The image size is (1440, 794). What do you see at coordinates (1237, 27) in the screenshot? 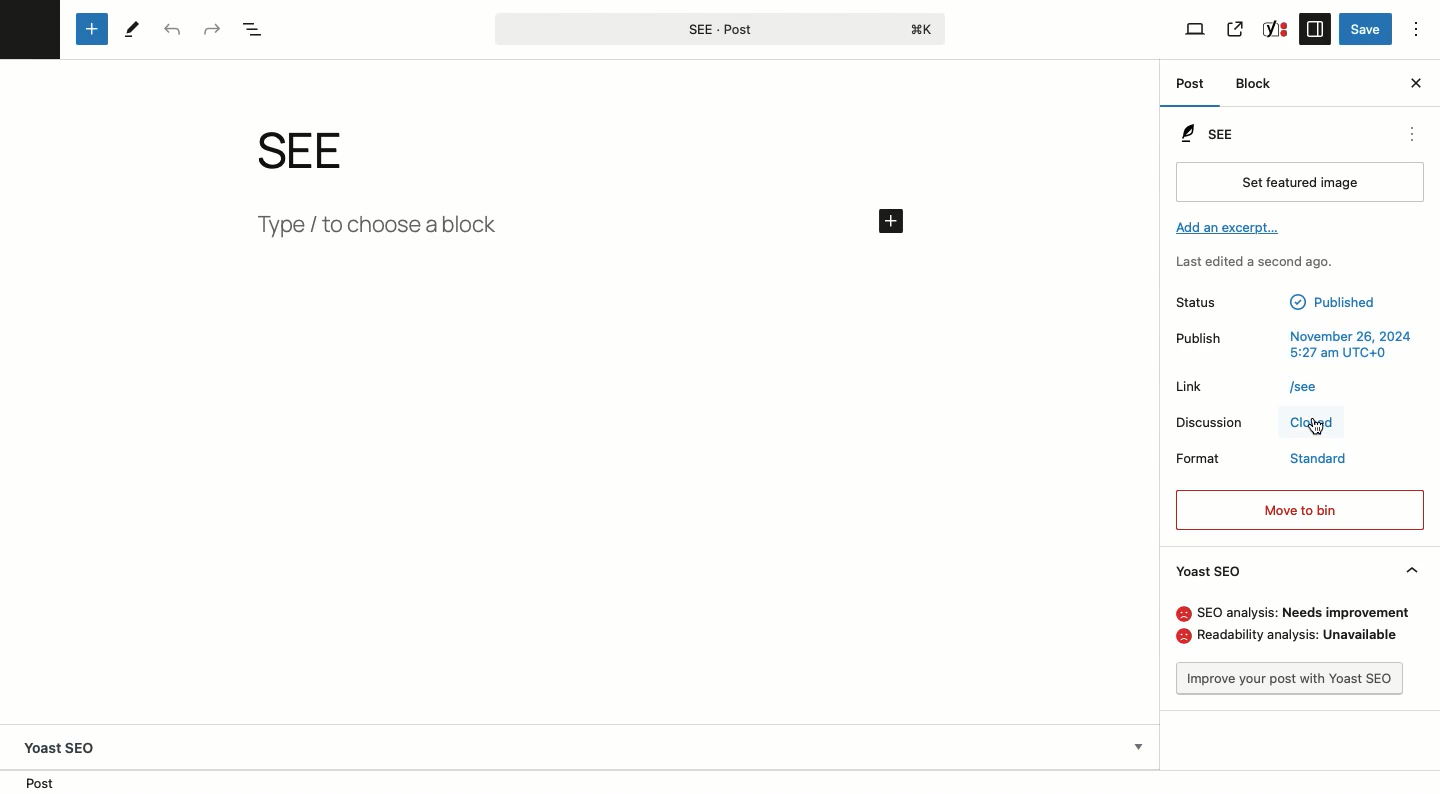
I see `View post` at bounding box center [1237, 27].